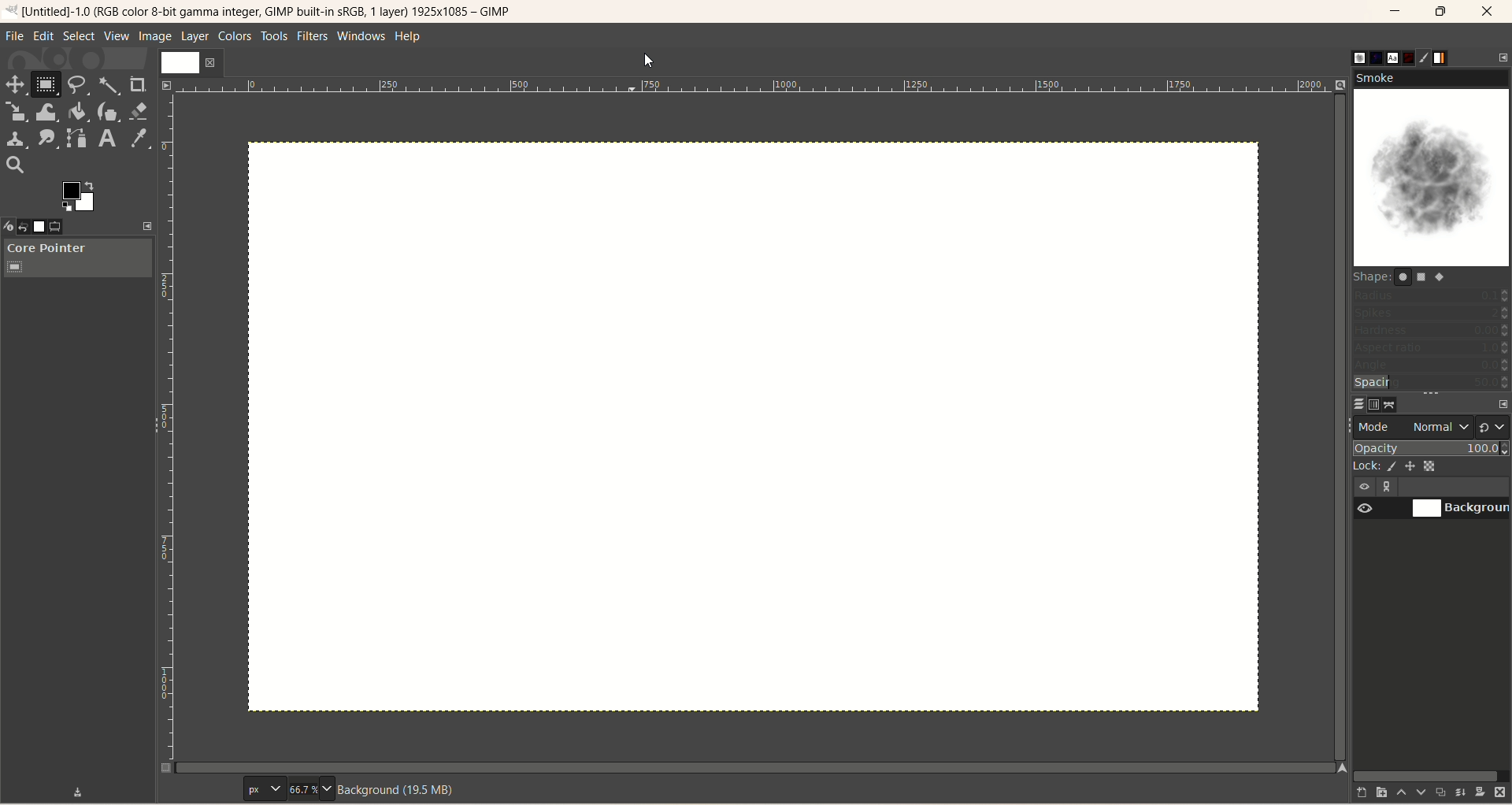  Describe the element at coordinates (1433, 169) in the screenshot. I see `smoke` at that location.